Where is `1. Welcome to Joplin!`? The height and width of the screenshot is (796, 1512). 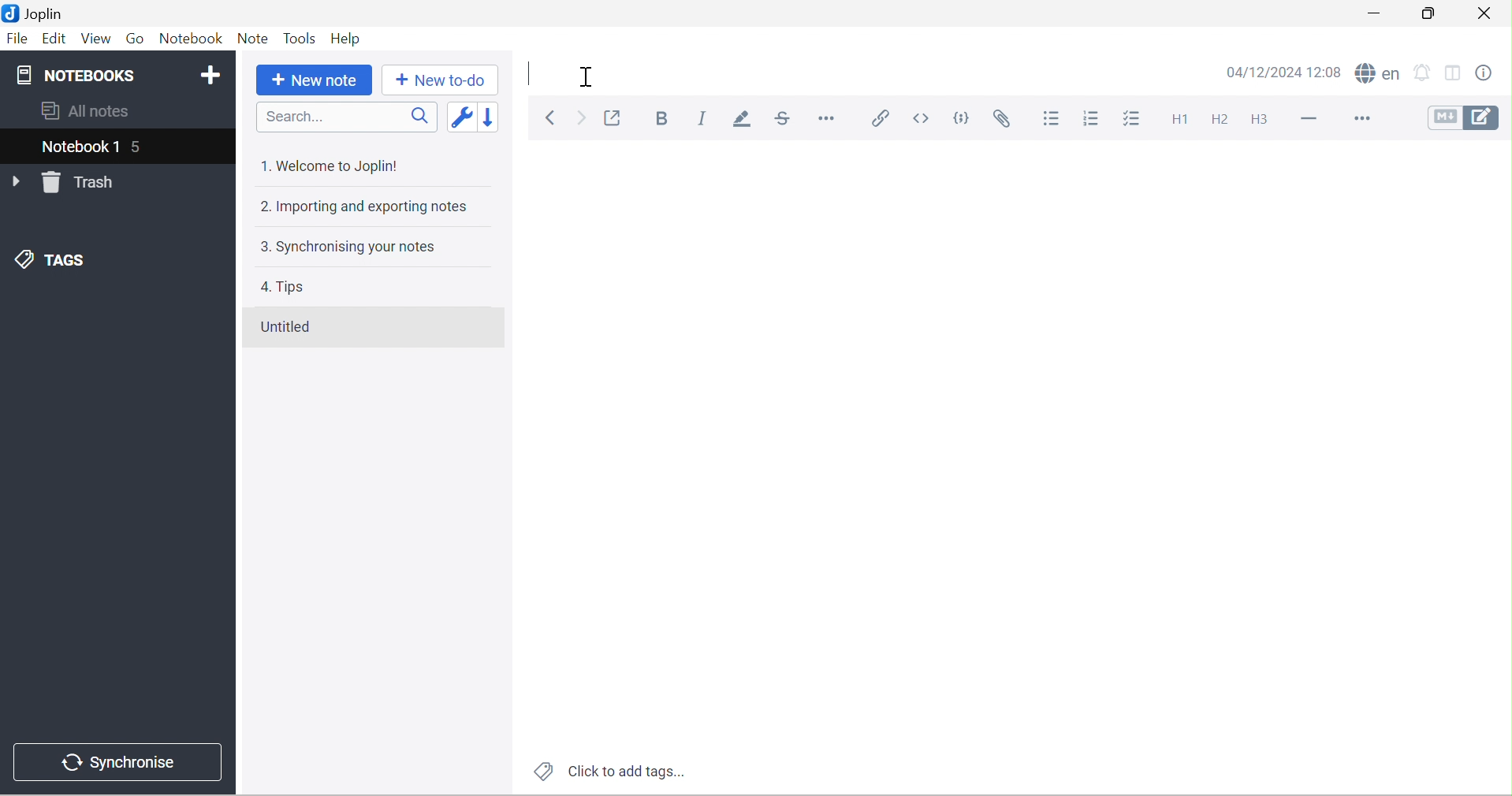
1. Welcome to Joplin! is located at coordinates (333, 166).